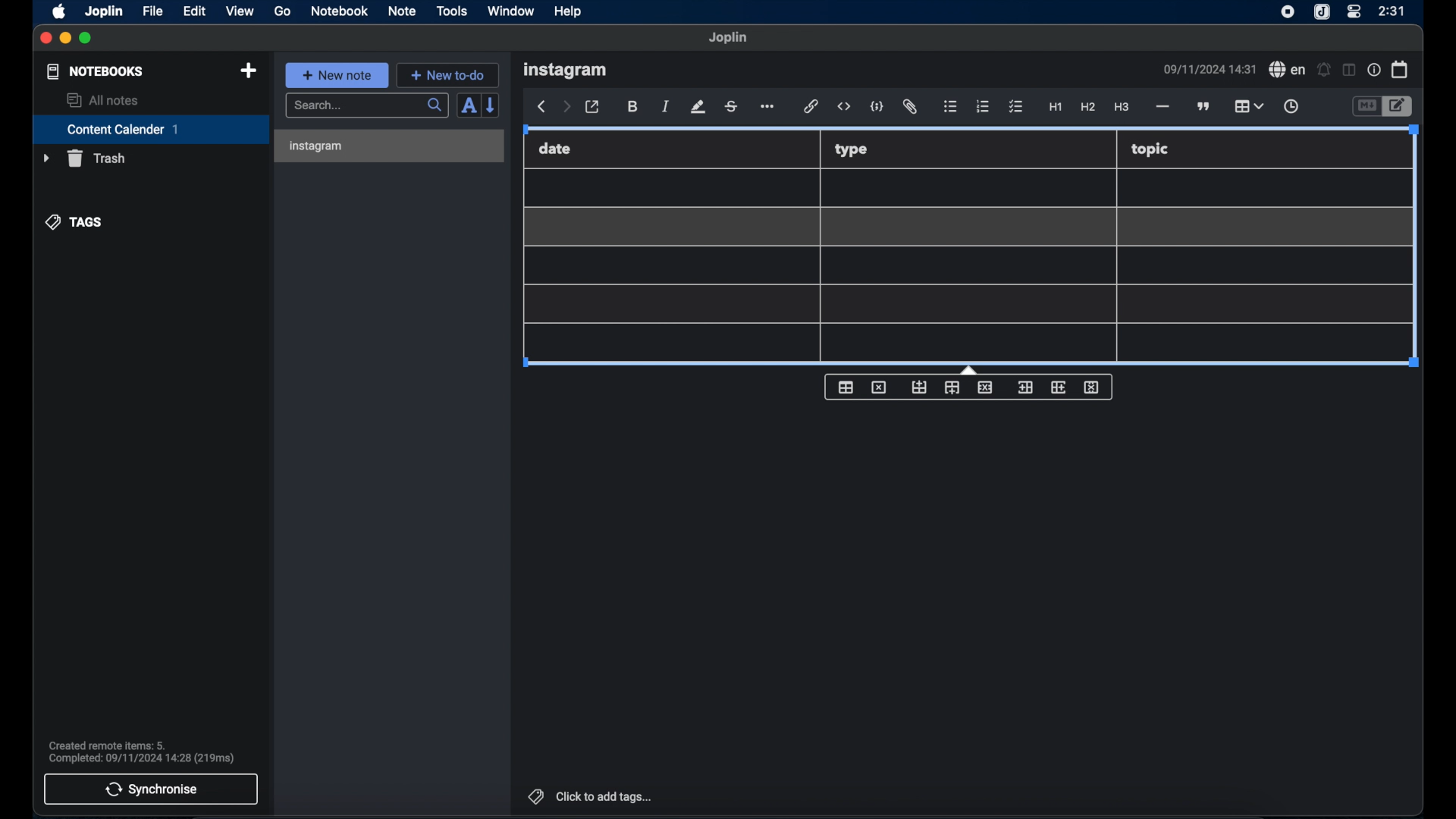 This screenshot has height=819, width=1456. What do you see at coordinates (1017, 108) in the screenshot?
I see `checklist` at bounding box center [1017, 108].